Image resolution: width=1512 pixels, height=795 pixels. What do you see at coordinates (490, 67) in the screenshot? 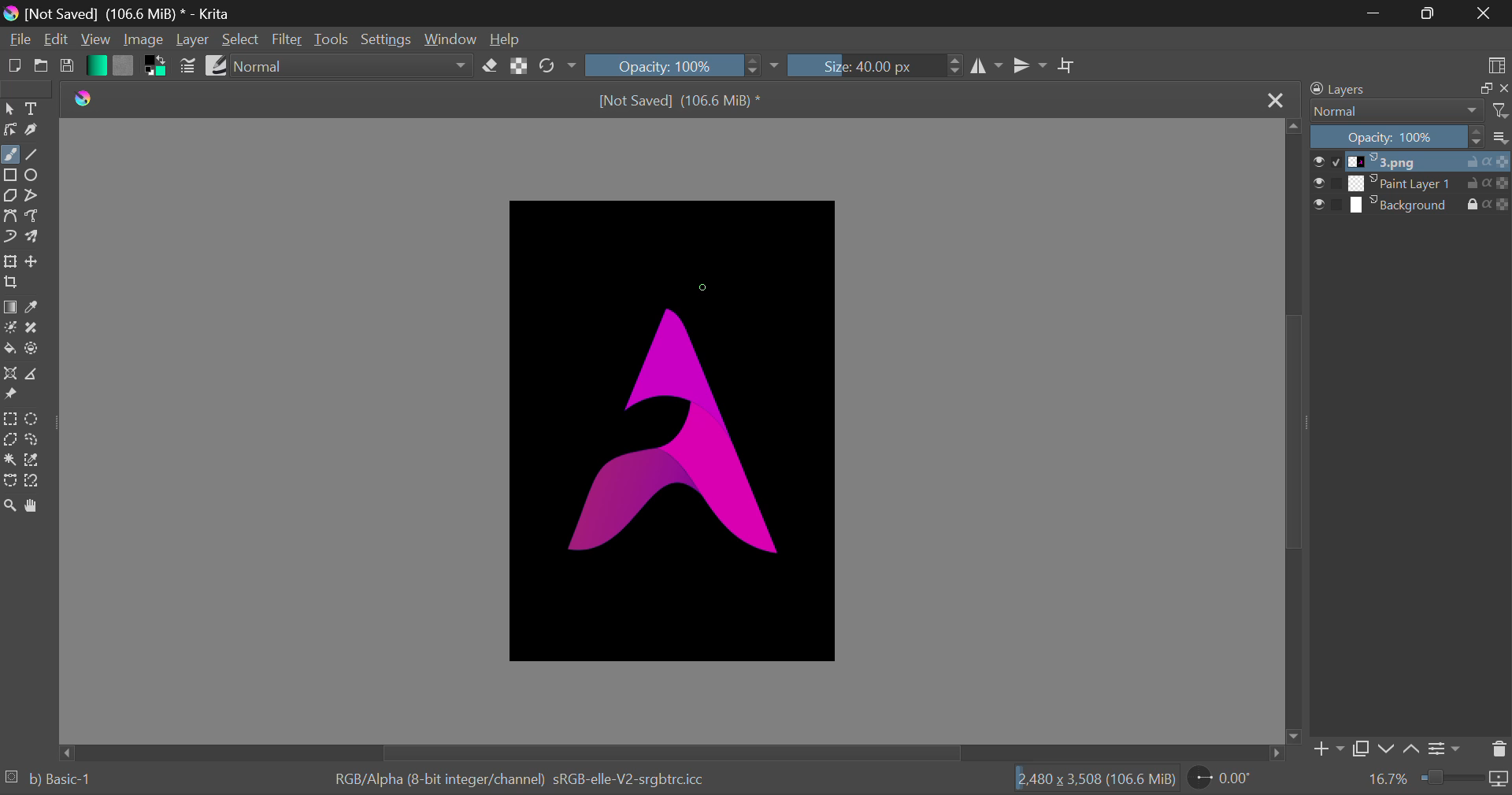
I see `Erase` at bounding box center [490, 67].